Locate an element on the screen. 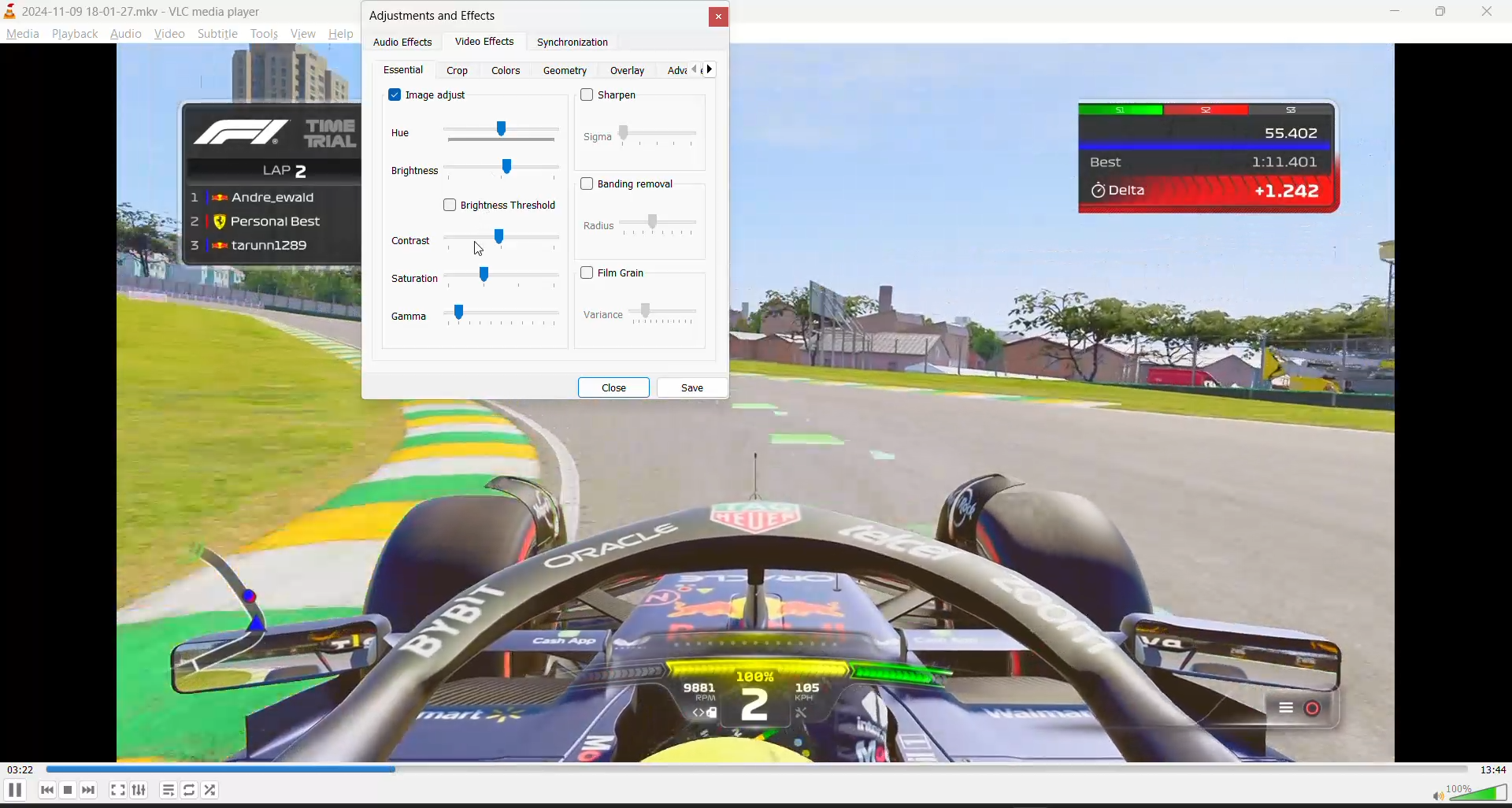 This screenshot has height=808, width=1512. total track  time is located at coordinates (1494, 769).